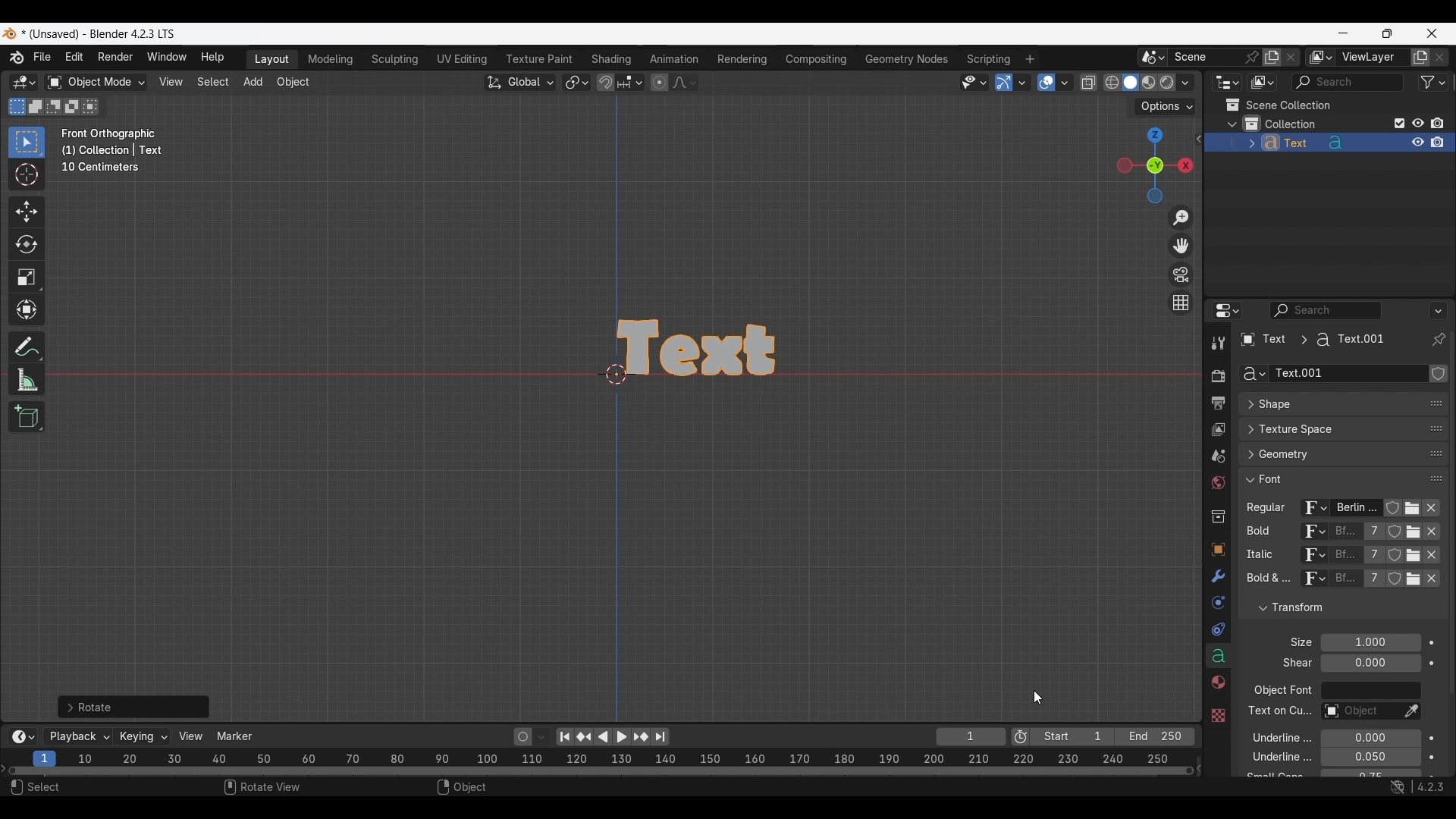  Describe the element at coordinates (1217, 484) in the screenshot. I see `World` at that location.